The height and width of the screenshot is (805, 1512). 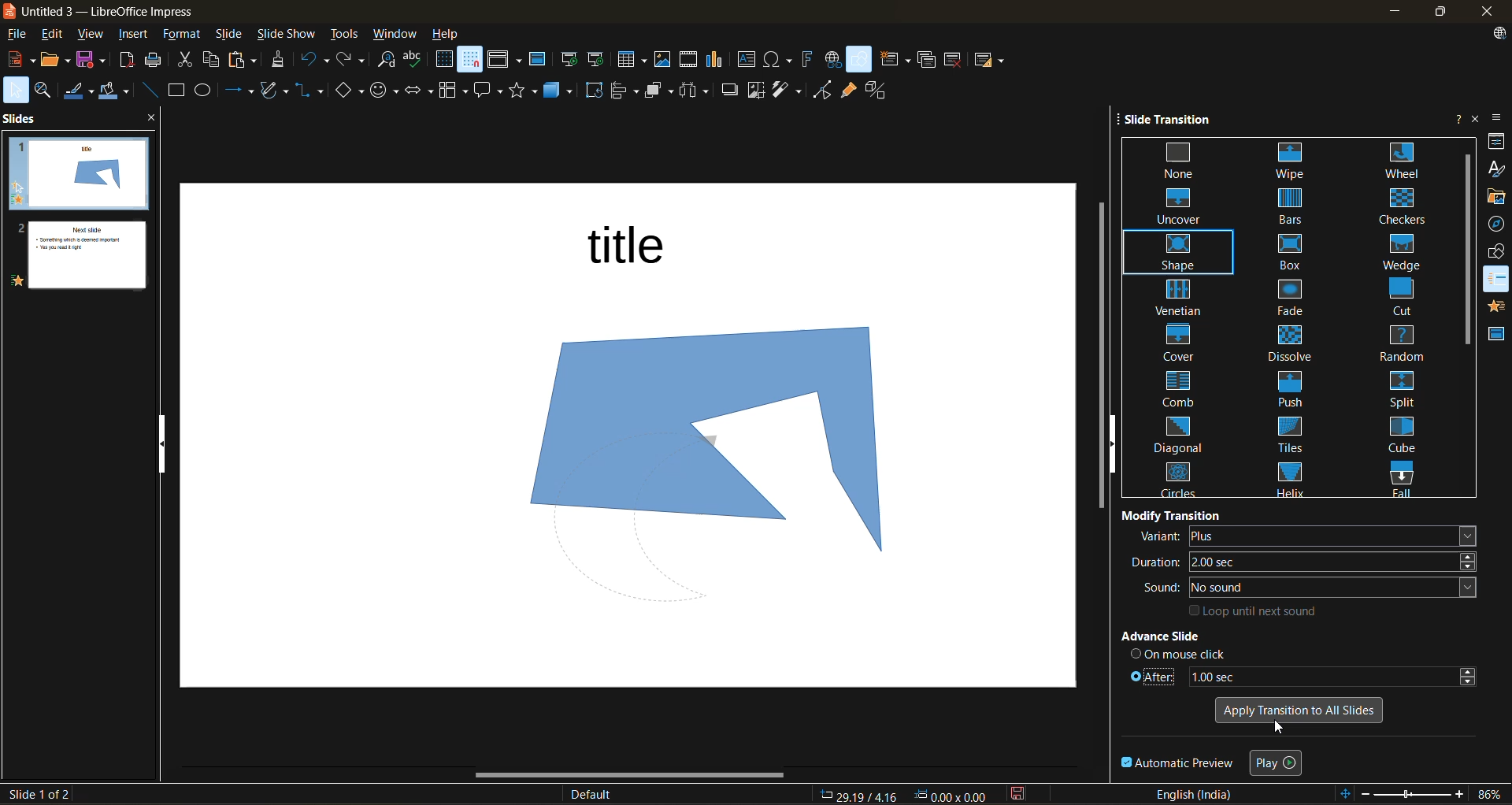 I want to click on animation, so click(x=1498, y=280).